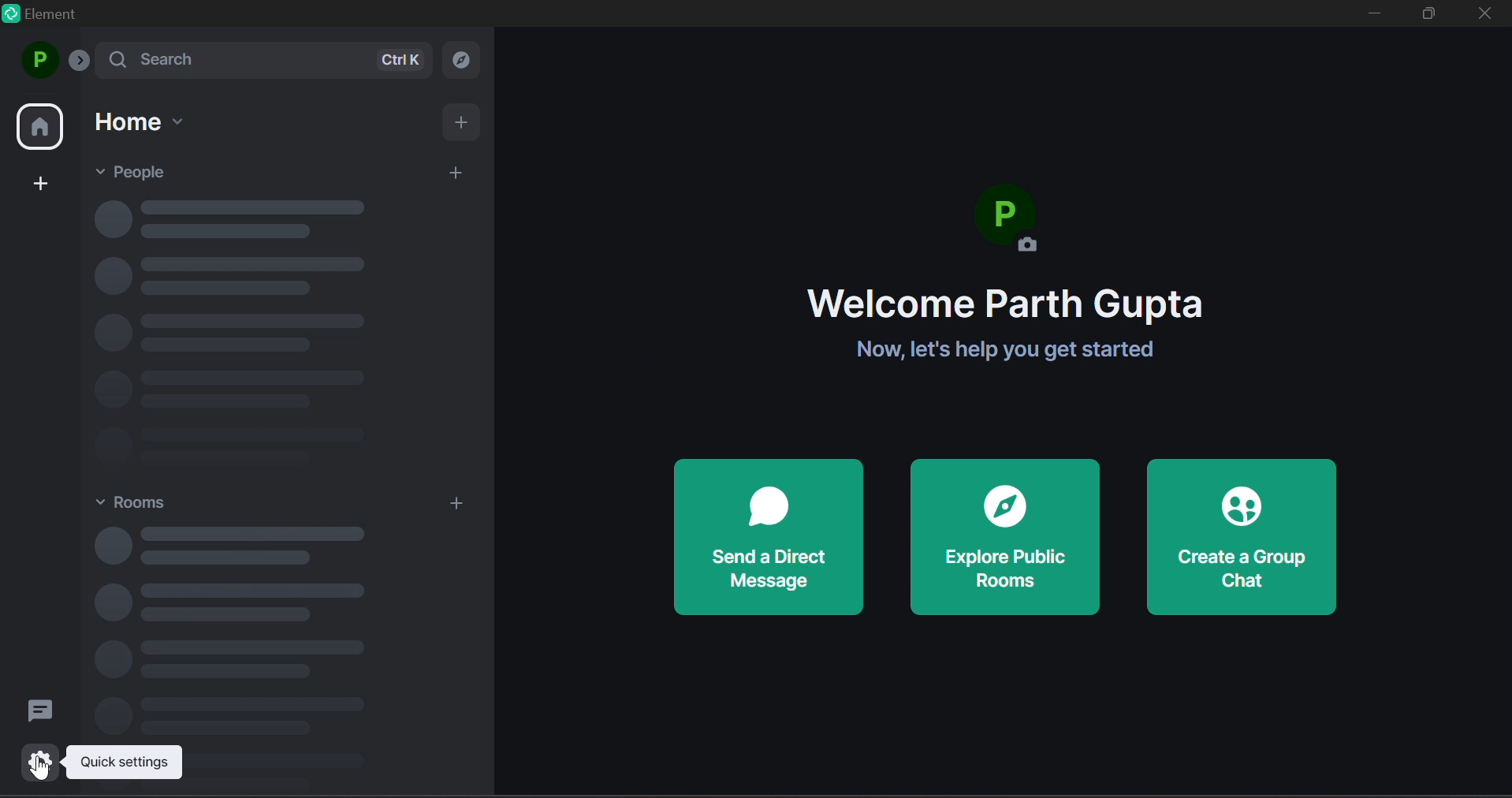  I want to click on home, so click(42, 129).